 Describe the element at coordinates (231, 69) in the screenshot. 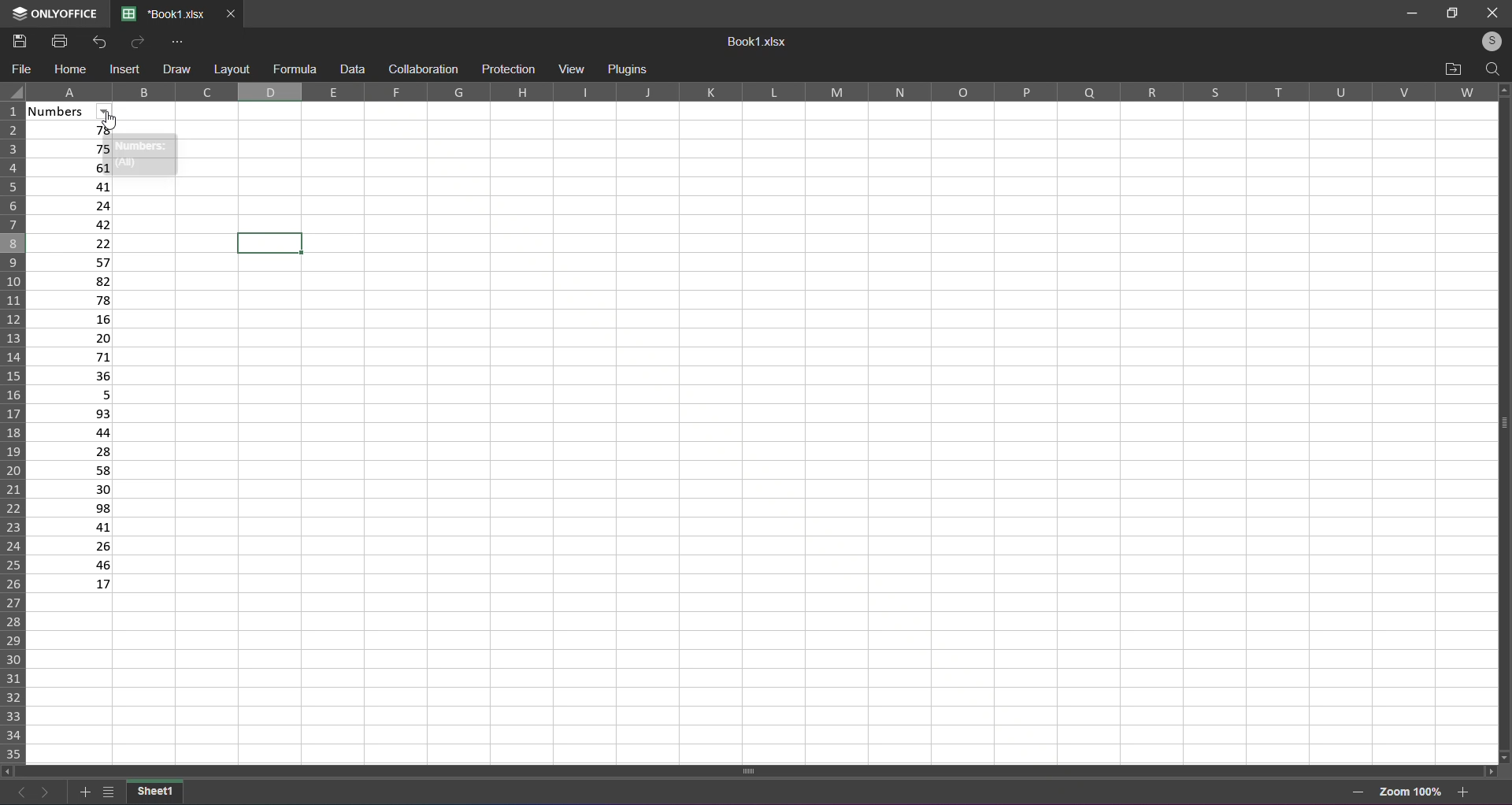

I see `layout` at that location.